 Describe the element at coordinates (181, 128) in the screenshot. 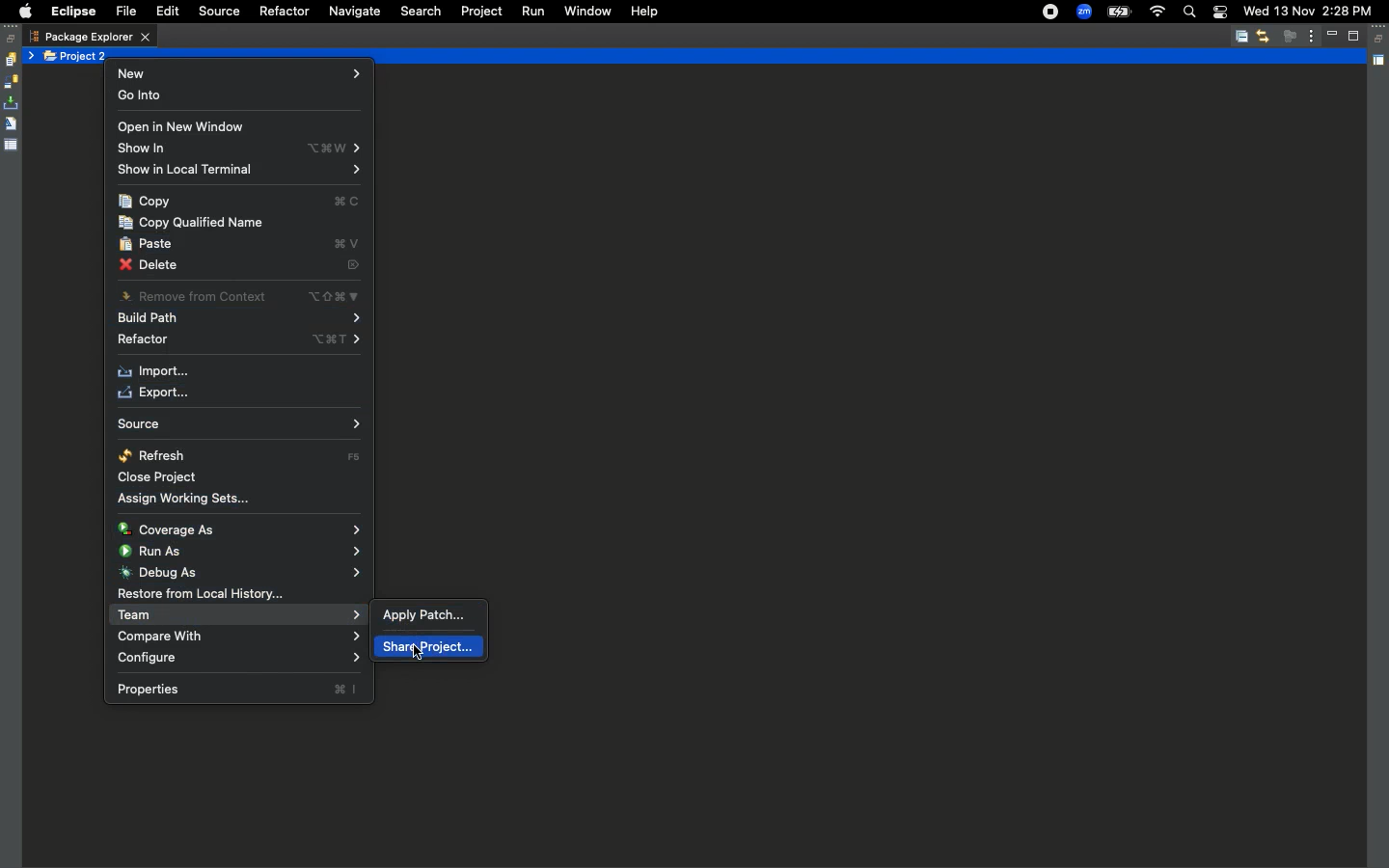

I see `Open in new window` at that location.